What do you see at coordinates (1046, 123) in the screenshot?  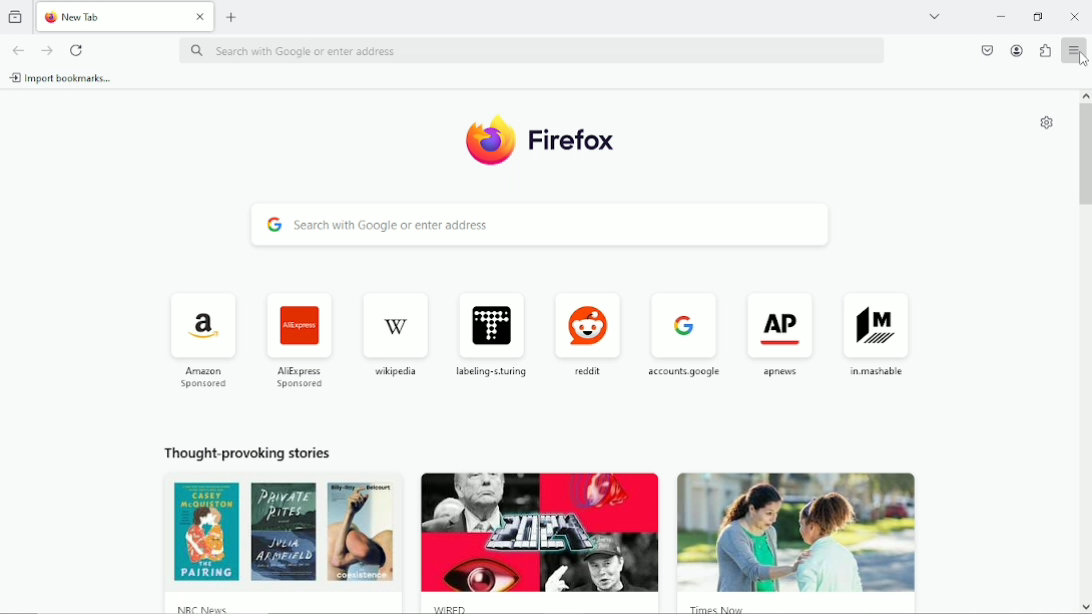 I see `customize new tab` at bounding box center [1046, 123].